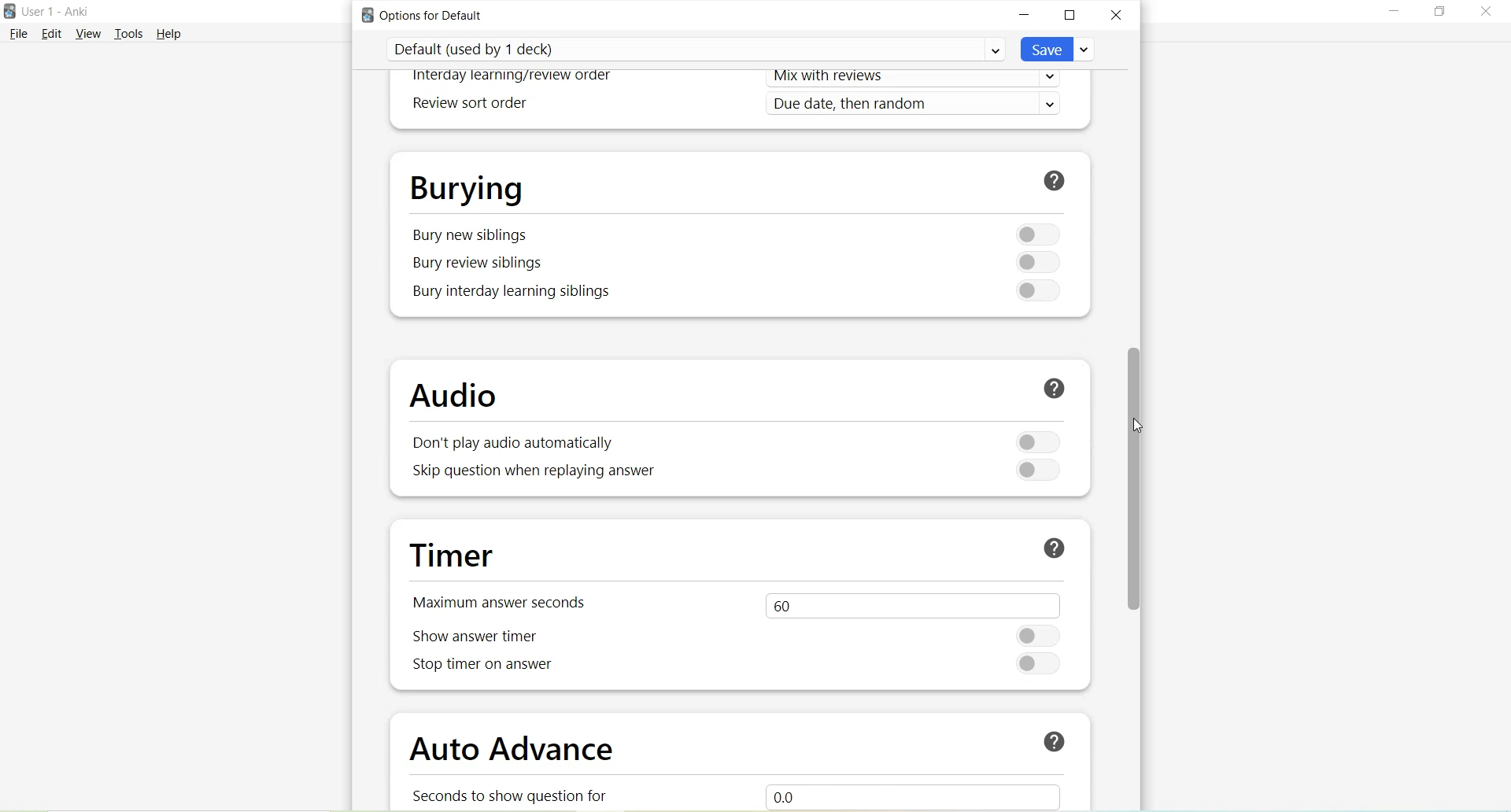 Image resolution: width=1511 pixels, height=812 pixels. What do you see at coordinates (9, 12) in the screenshot?
I see `Logo` at bounding box center [9, 12].